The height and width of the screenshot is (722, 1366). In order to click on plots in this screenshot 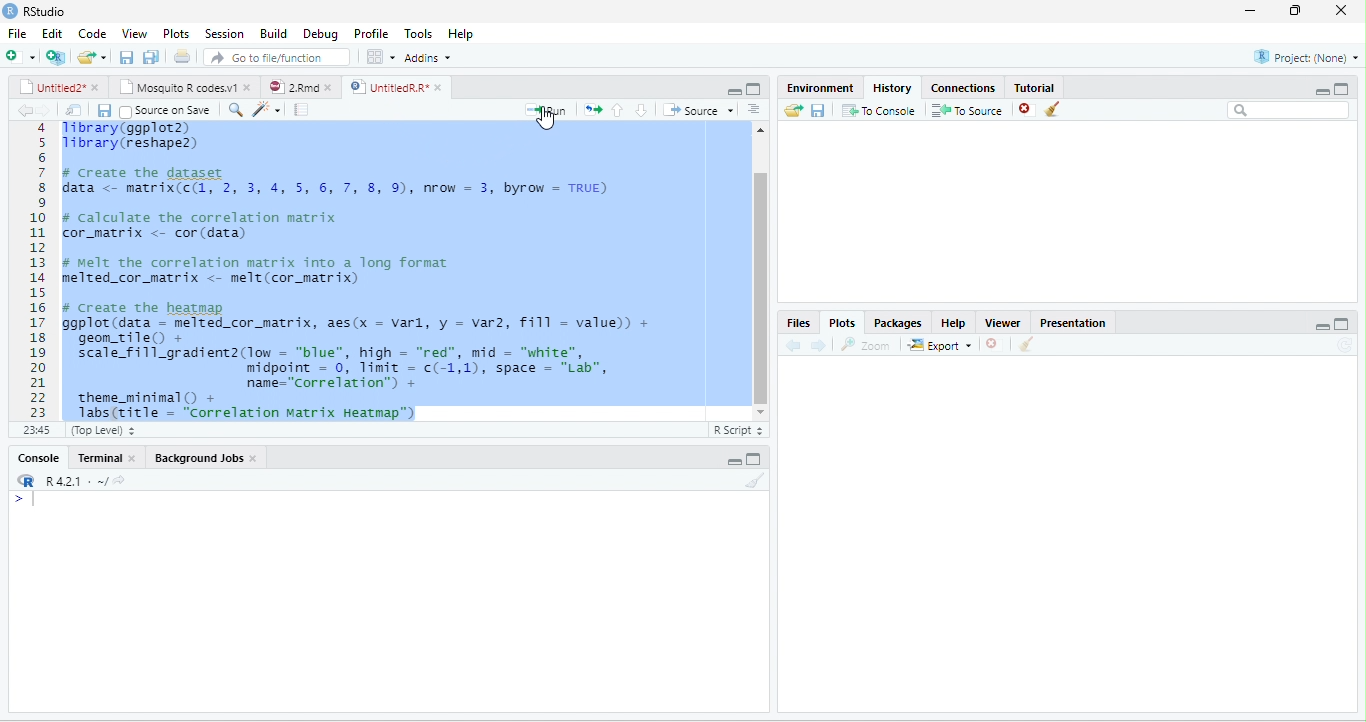, I will do `click(176, 33)`.